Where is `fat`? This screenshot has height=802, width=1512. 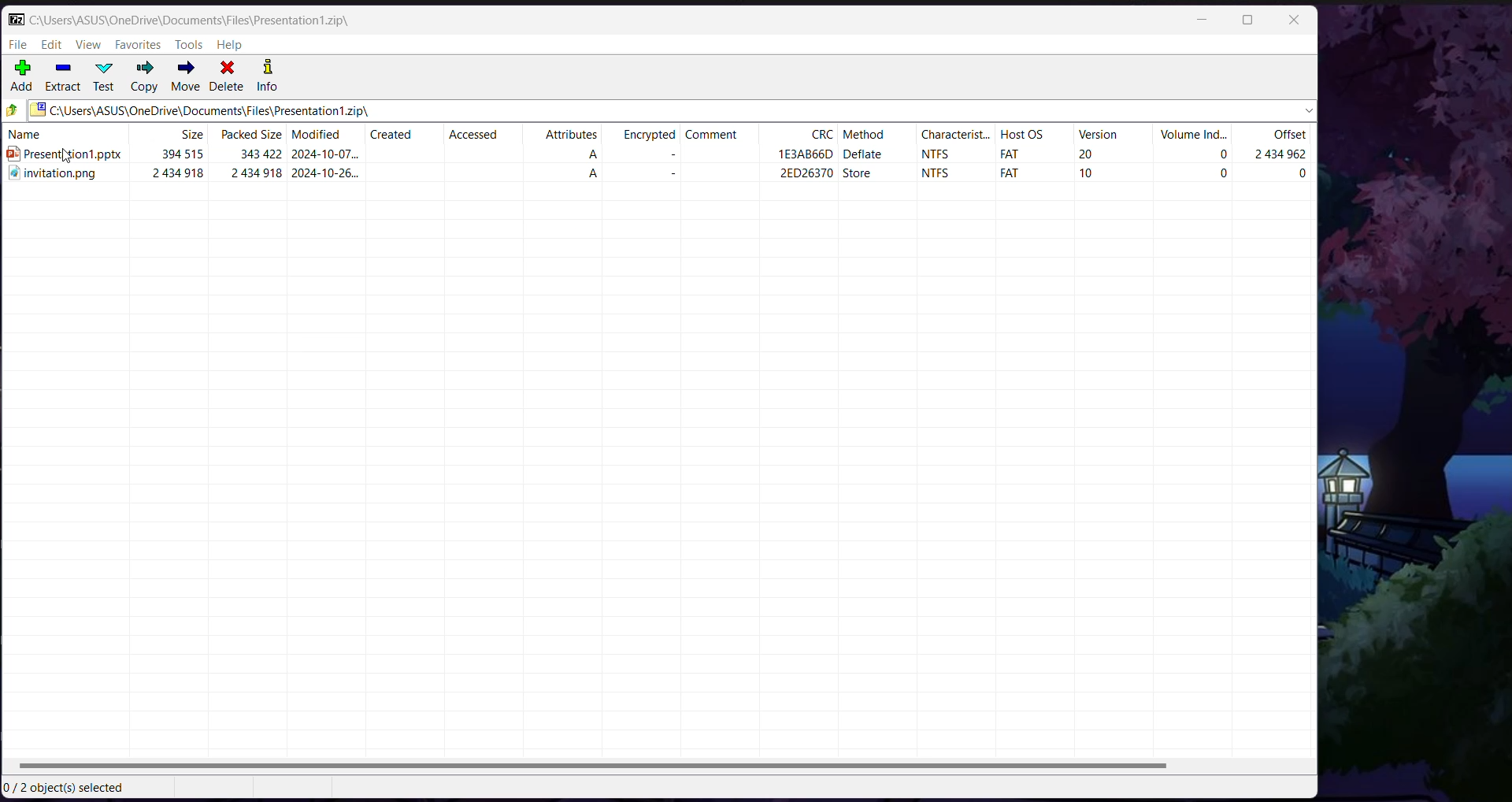 fat is located at coordinates (1009, 153).